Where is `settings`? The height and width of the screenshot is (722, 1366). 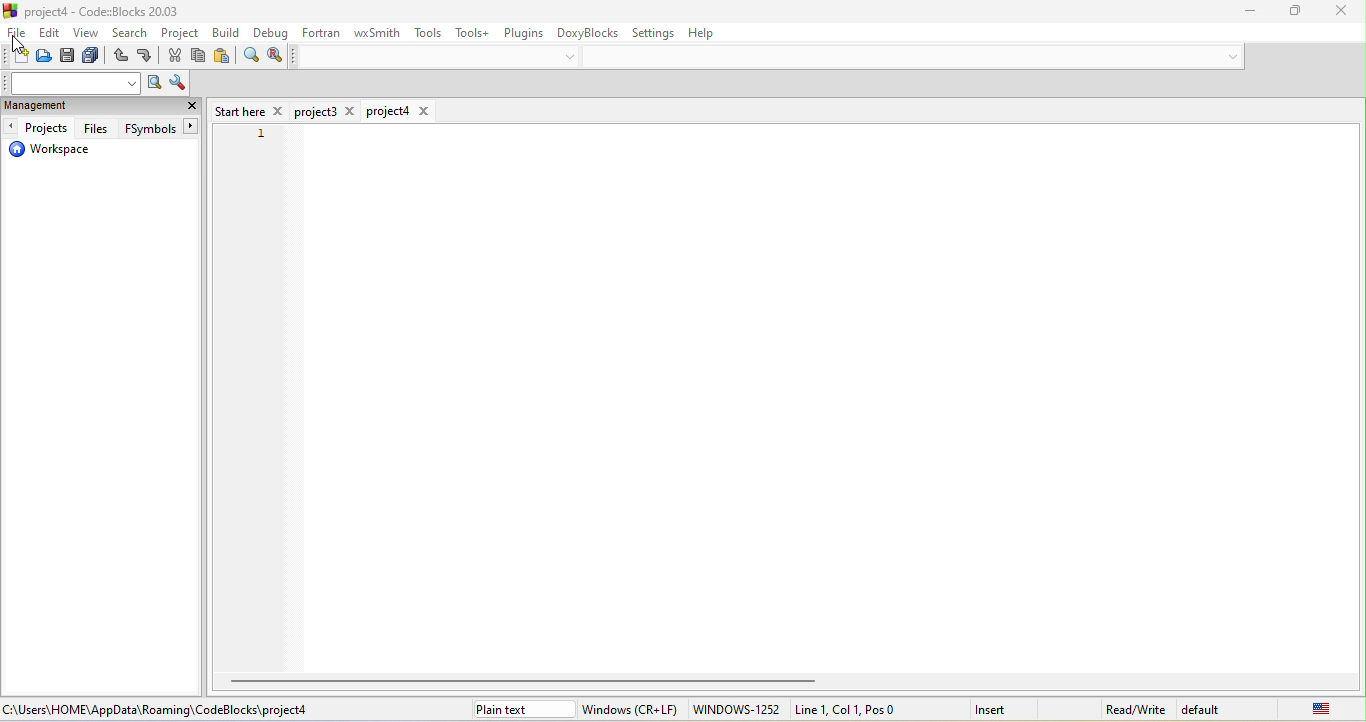 settings is located at coordinates (658, 32).